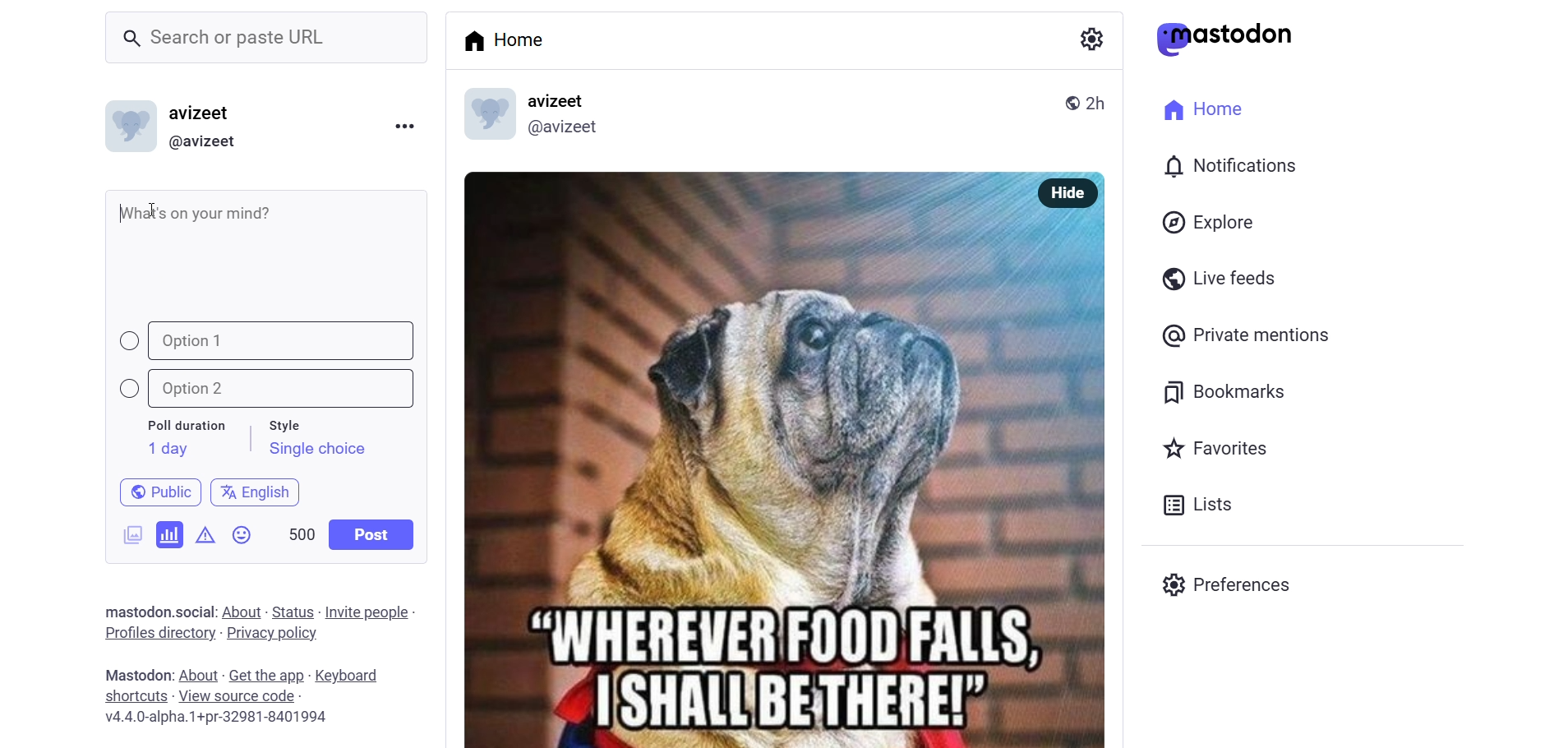 This screenshot has width=1568, height=748. What do you see at coordinates (1225, 39) in the screenshot?
I see `mastodon` at bounding box center [1225, 39].